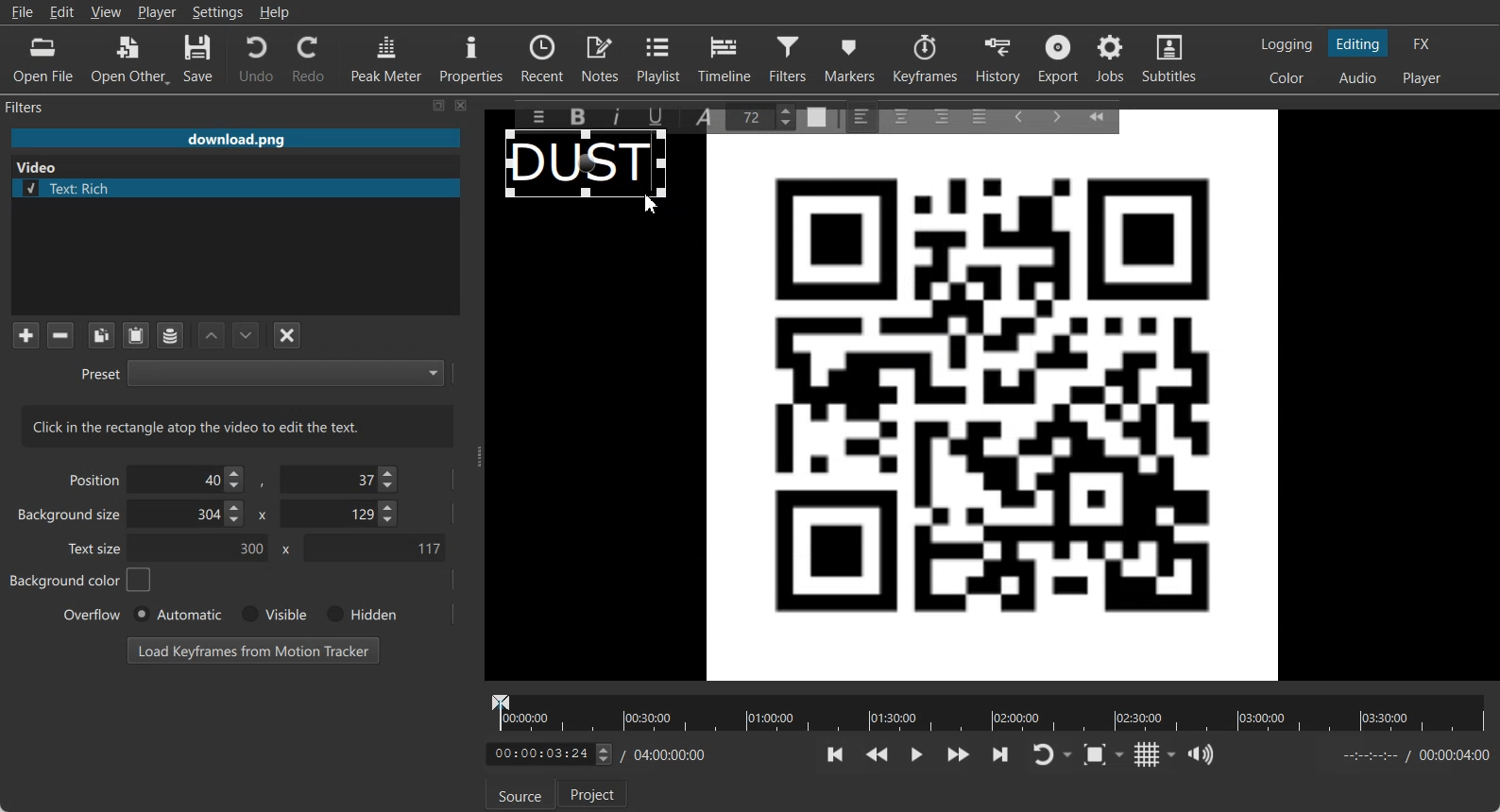  Describe the element at coordinates (1172, 754) in the screenshot. I see `Drop down box` at that location.